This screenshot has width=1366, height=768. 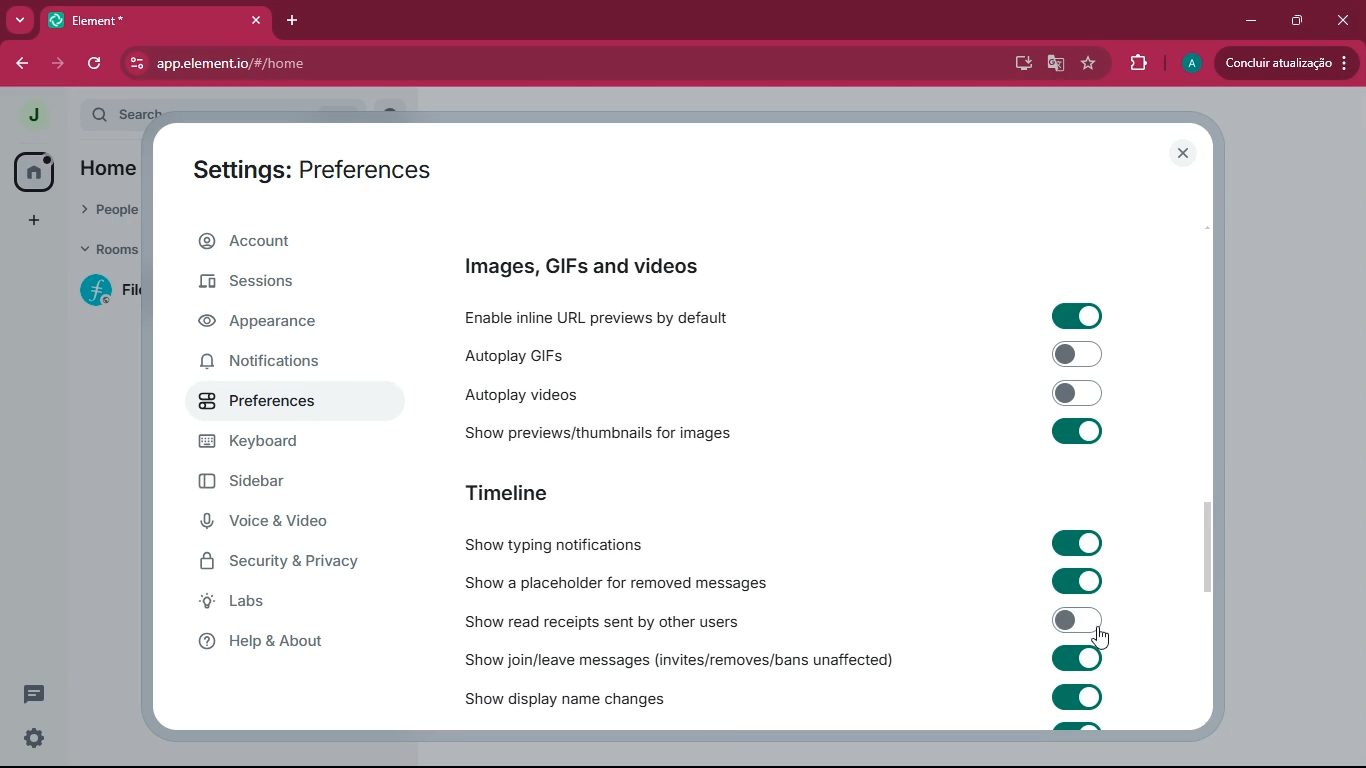 What do you see at coordinates (1090, 65) in the screenshot?
I see `favourite` at bounding box center [1090, 65].